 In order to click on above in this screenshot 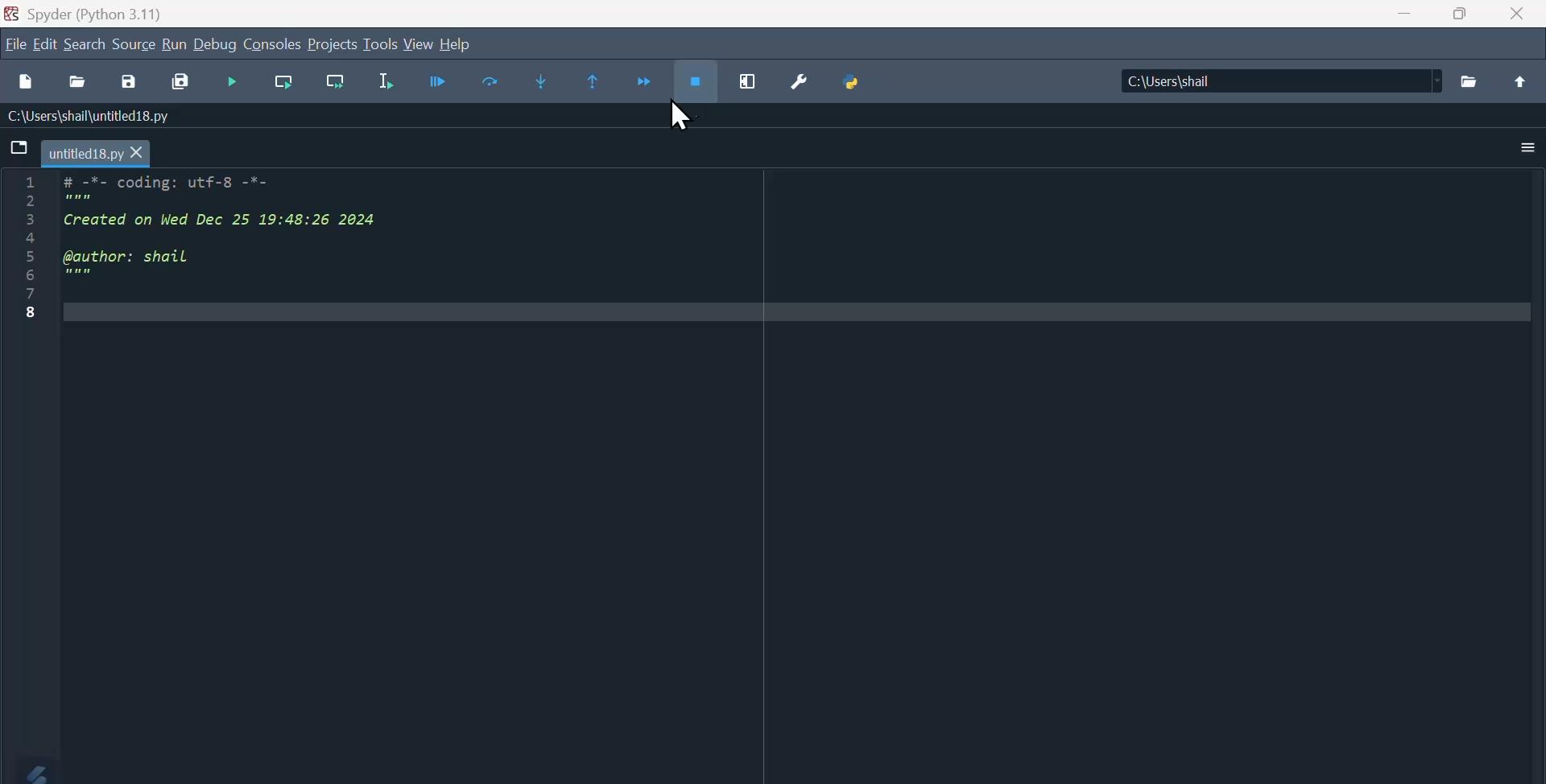, I will do `click(1523, 83)`.